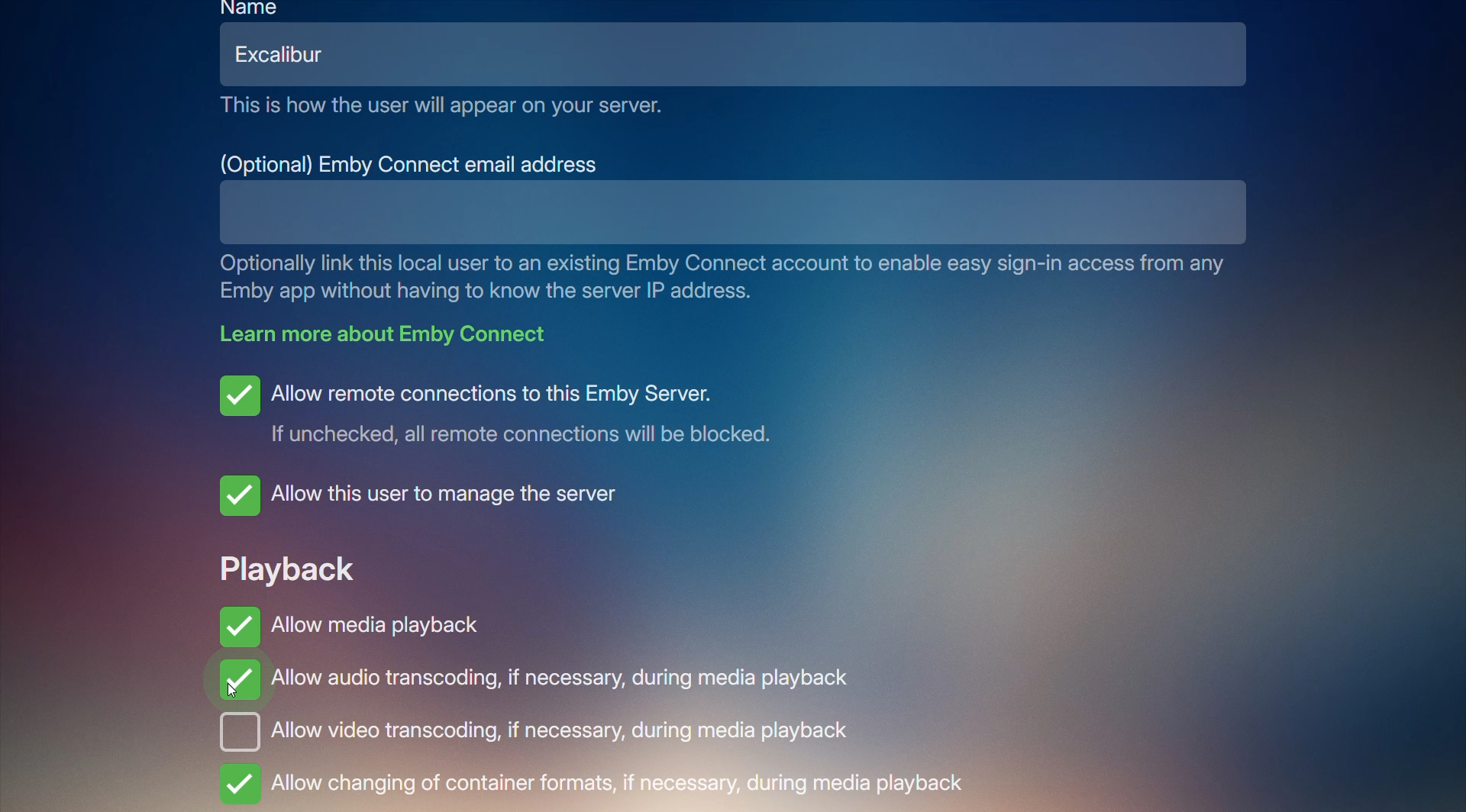 The width and height of the screenshot is (1466, 812). Describe the element at coordinates (350, 621) in the screenshot. I see `Allow media playback` at that location.